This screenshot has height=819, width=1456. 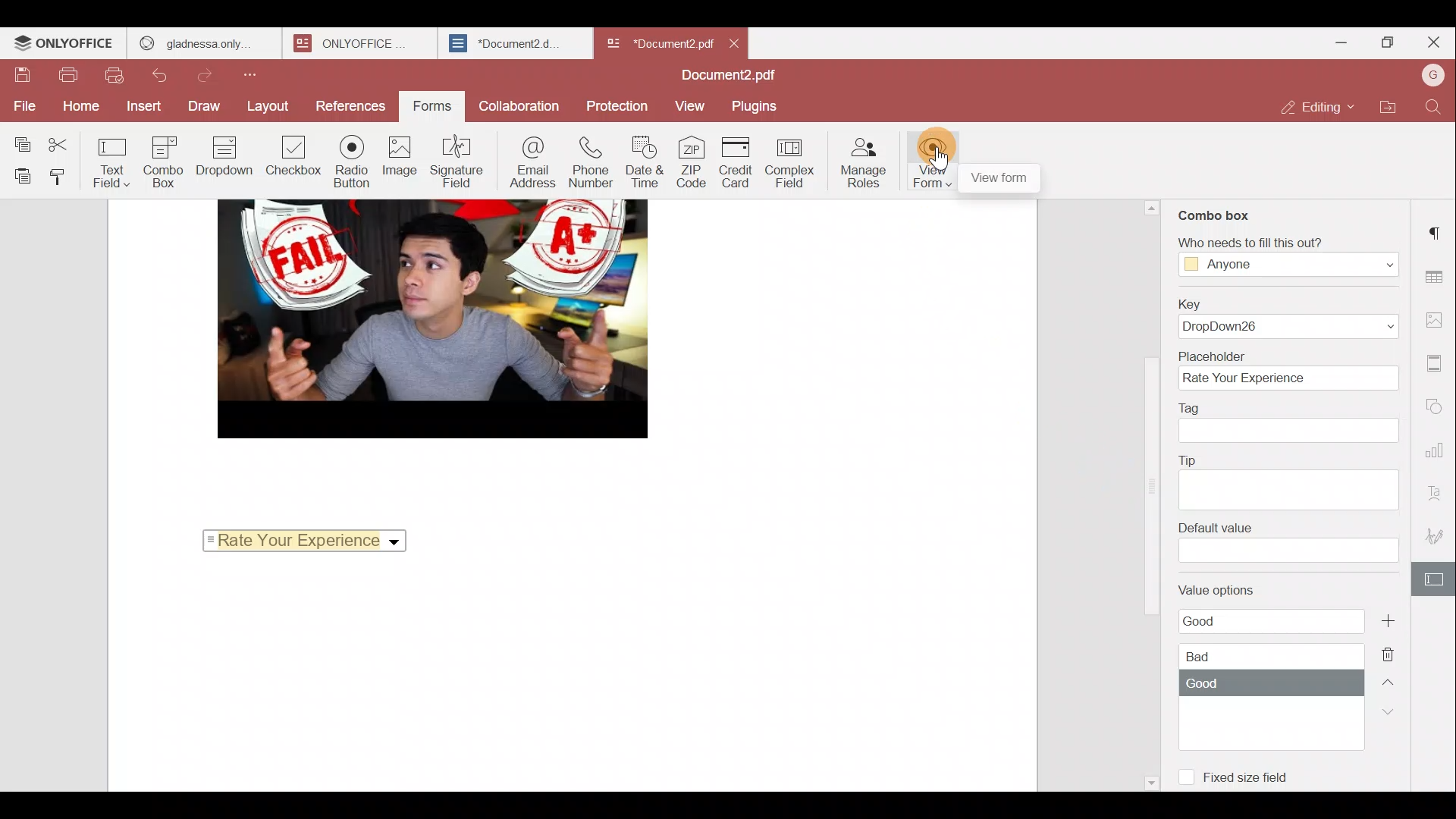 What do you see at coordinates (616, 103) in the screenshot?
I see `Protection` at bounding box center [616, 103].